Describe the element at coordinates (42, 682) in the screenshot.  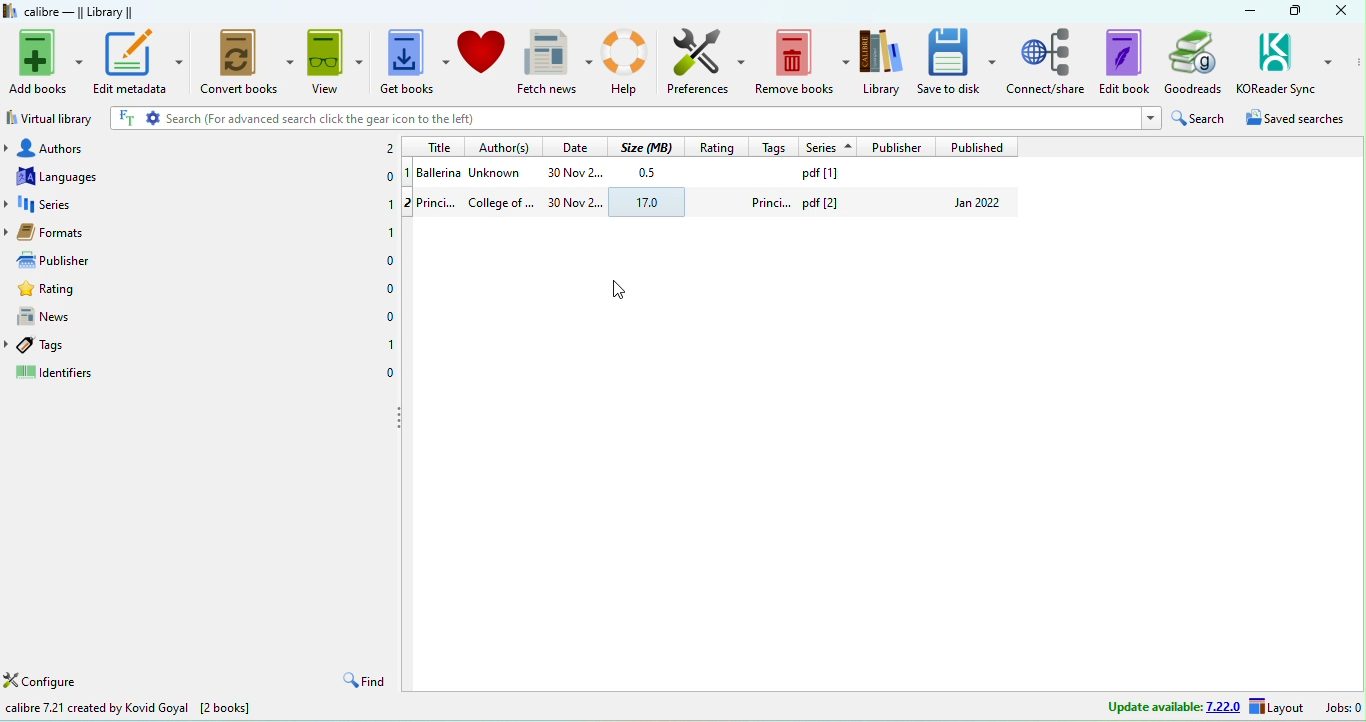
I see `configure` at that location.